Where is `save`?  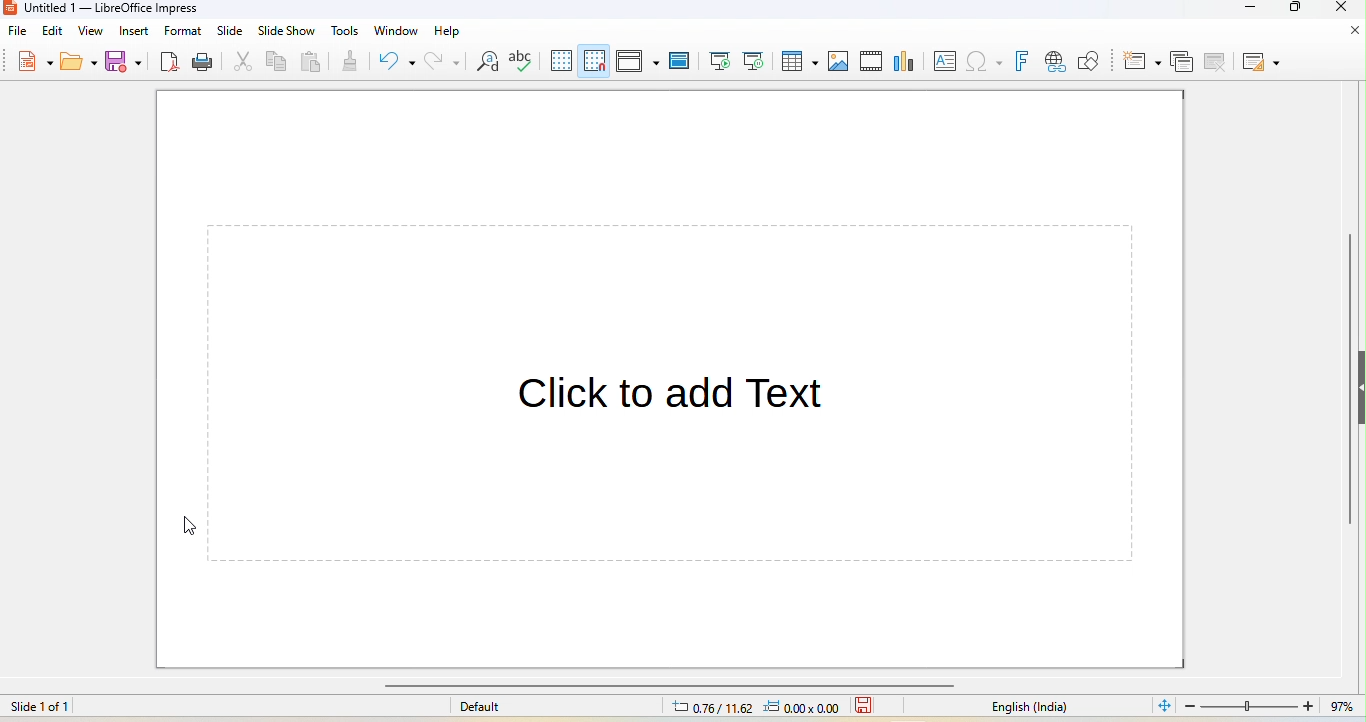
save is located at coordinates (126, 60).